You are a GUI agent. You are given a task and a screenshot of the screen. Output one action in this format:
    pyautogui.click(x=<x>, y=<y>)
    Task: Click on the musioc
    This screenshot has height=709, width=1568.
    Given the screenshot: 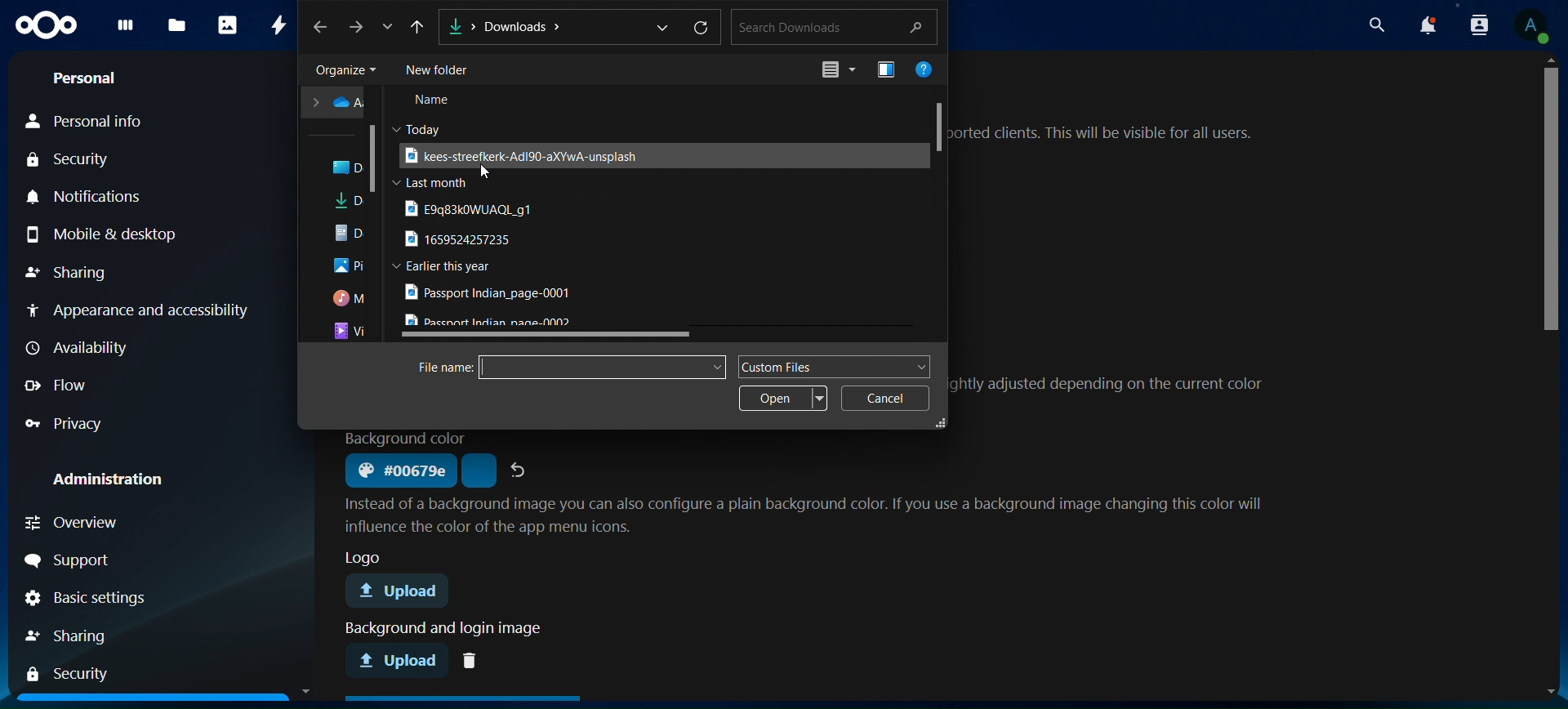 What is the action you would take?
    pyautogui.click(x=350, y=299)
    